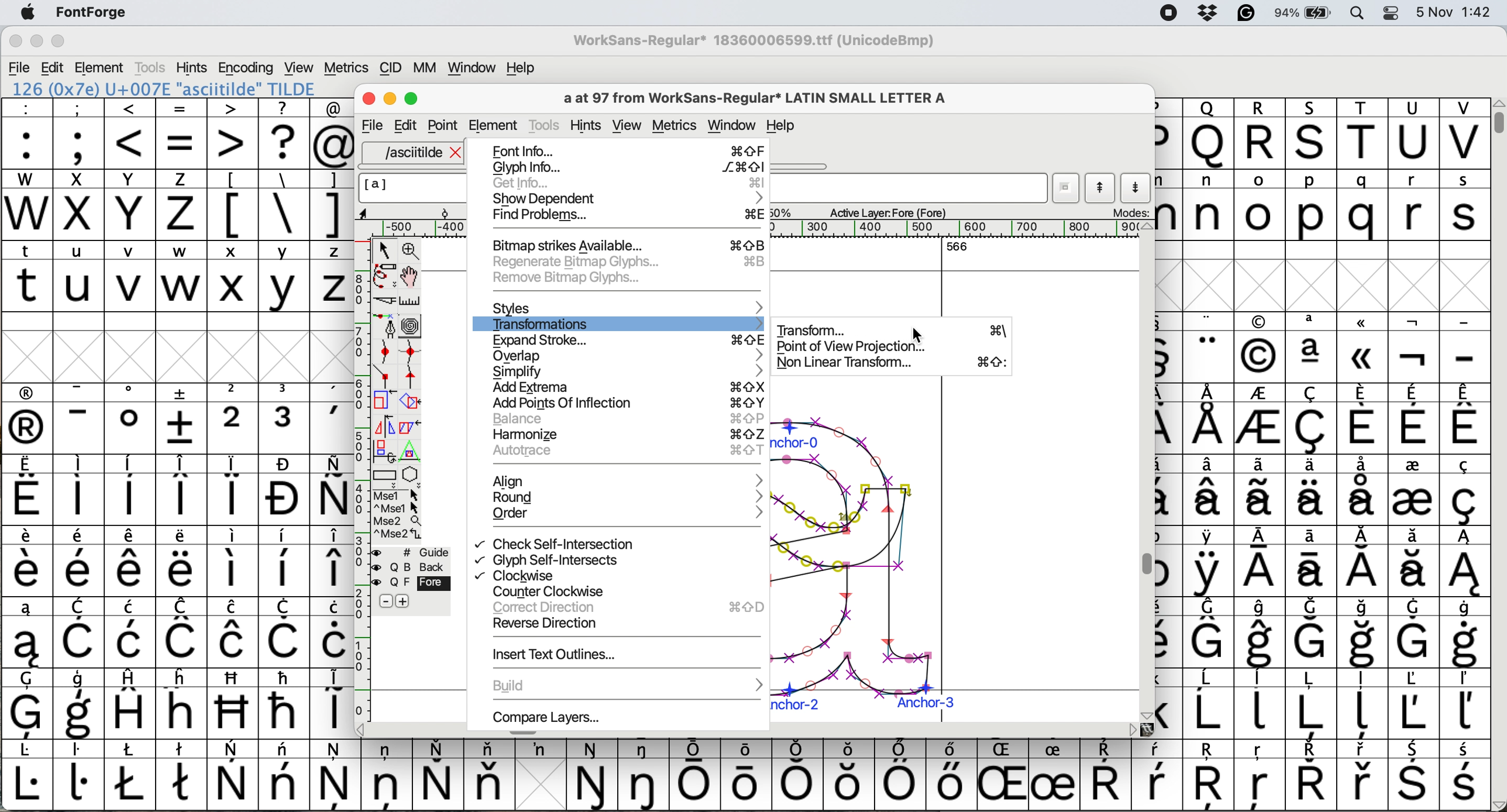 The height and width of the screenshot is (812, 1507). What do you see at coordinates (1465, 205) in the screenshot?
I see `s` at bounding box center [1465, 205].